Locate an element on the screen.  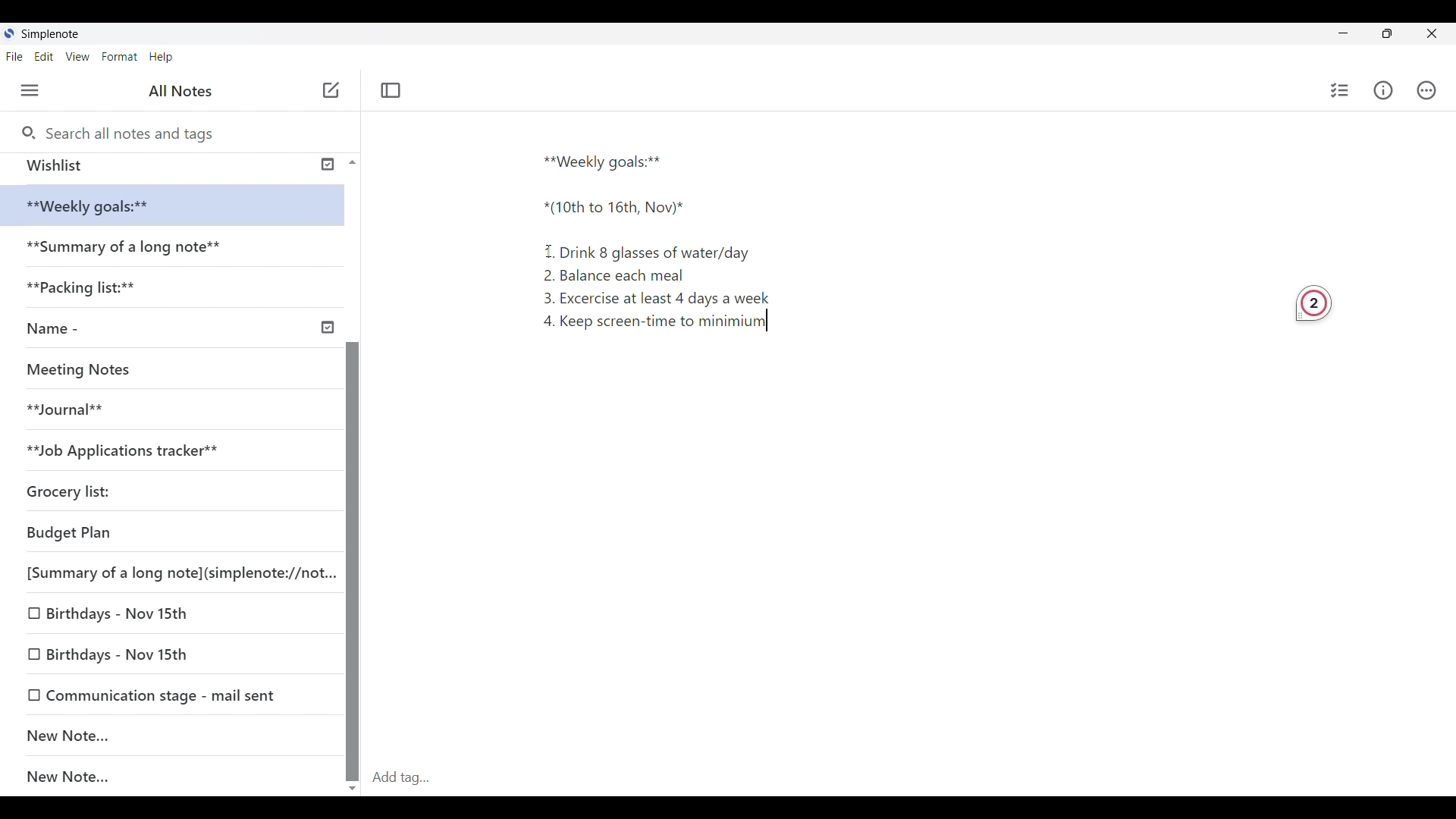
File is located at coordinates (17, 56).